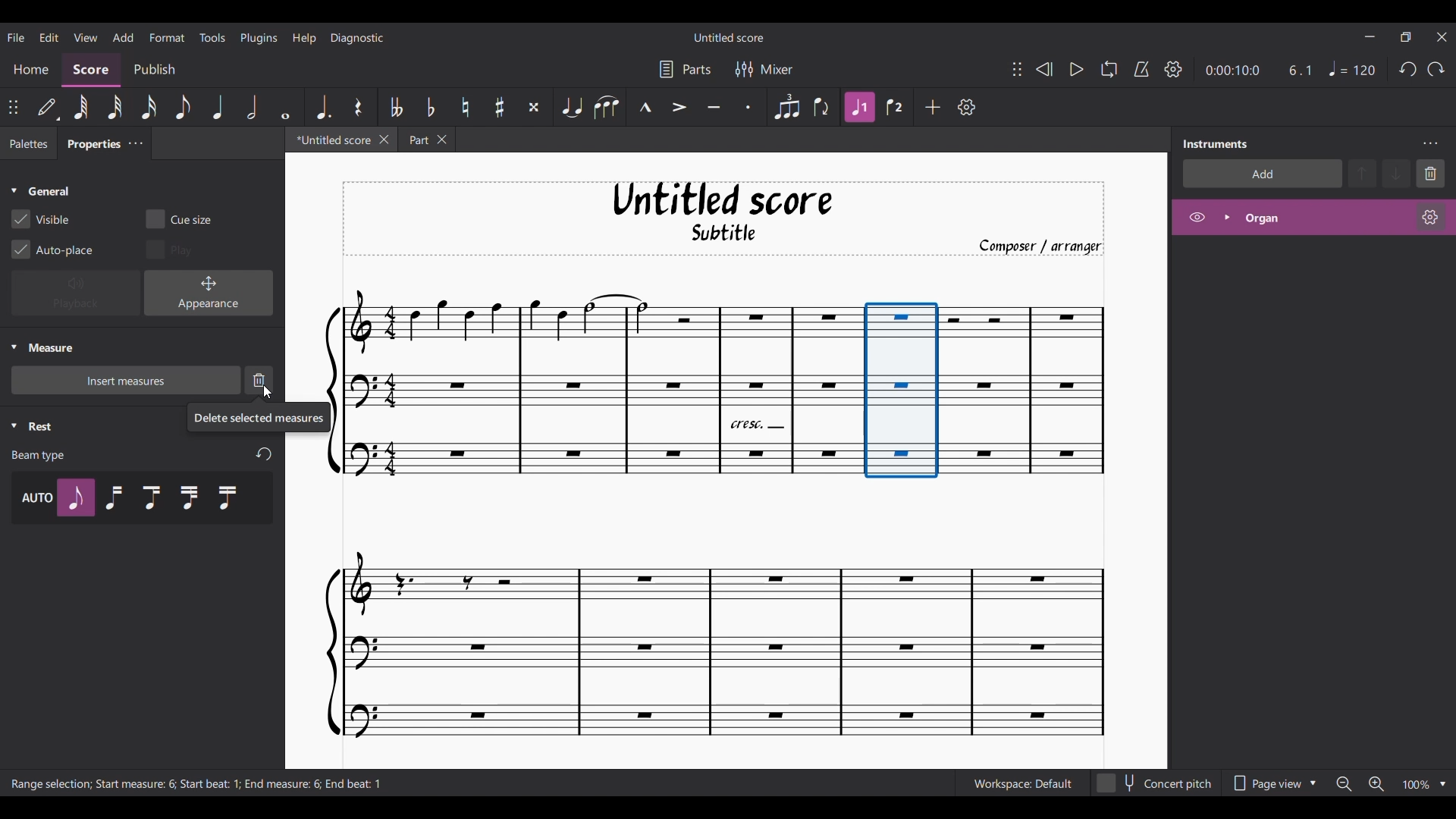 The height and width of the screenshot is (819, 1456). What do you see at coordinates (684, 69) in the screenshot?
I see `Parts settings` at bounding box center [684, 69].